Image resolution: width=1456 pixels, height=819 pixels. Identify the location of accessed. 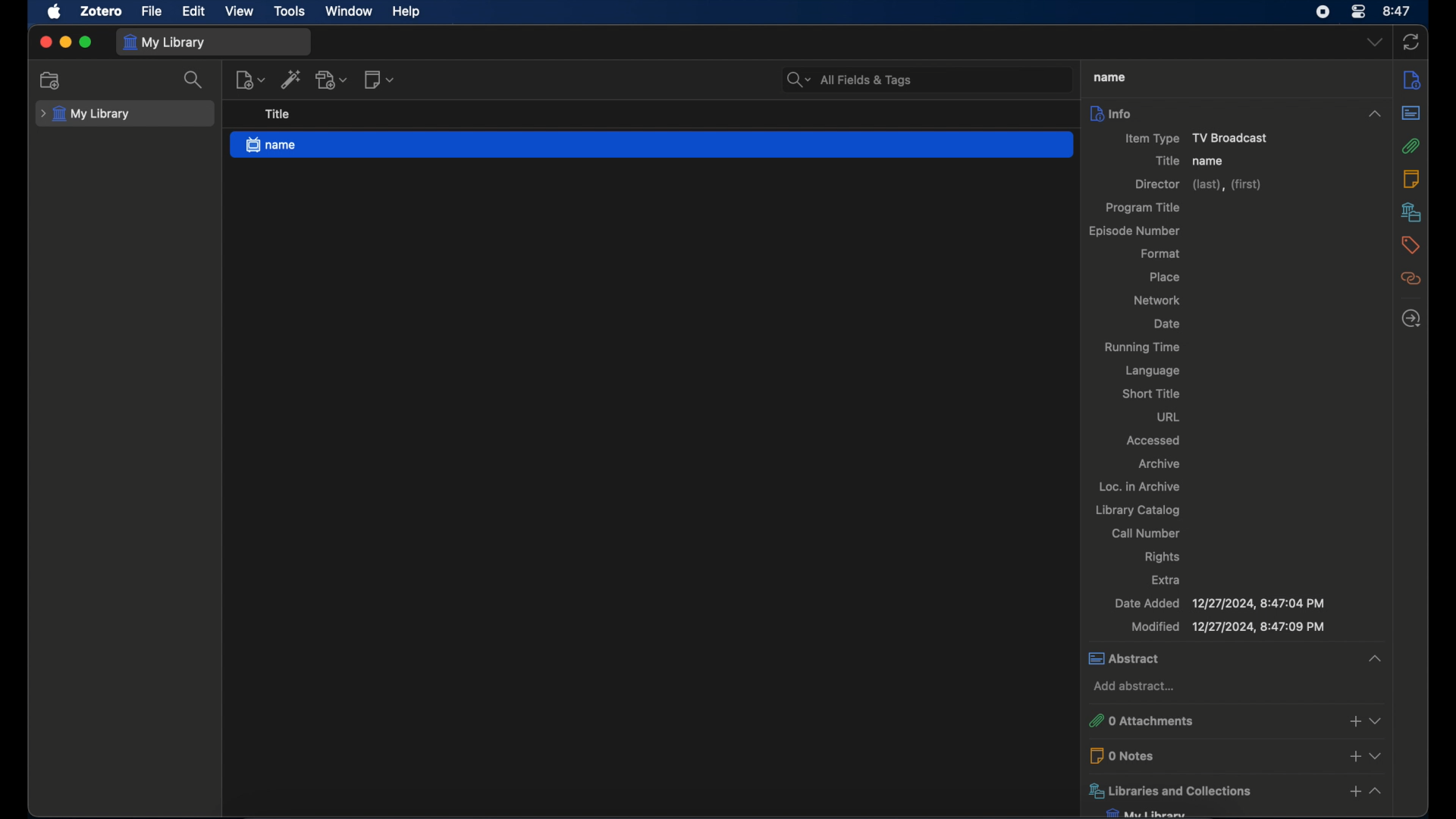
(1152, 441).